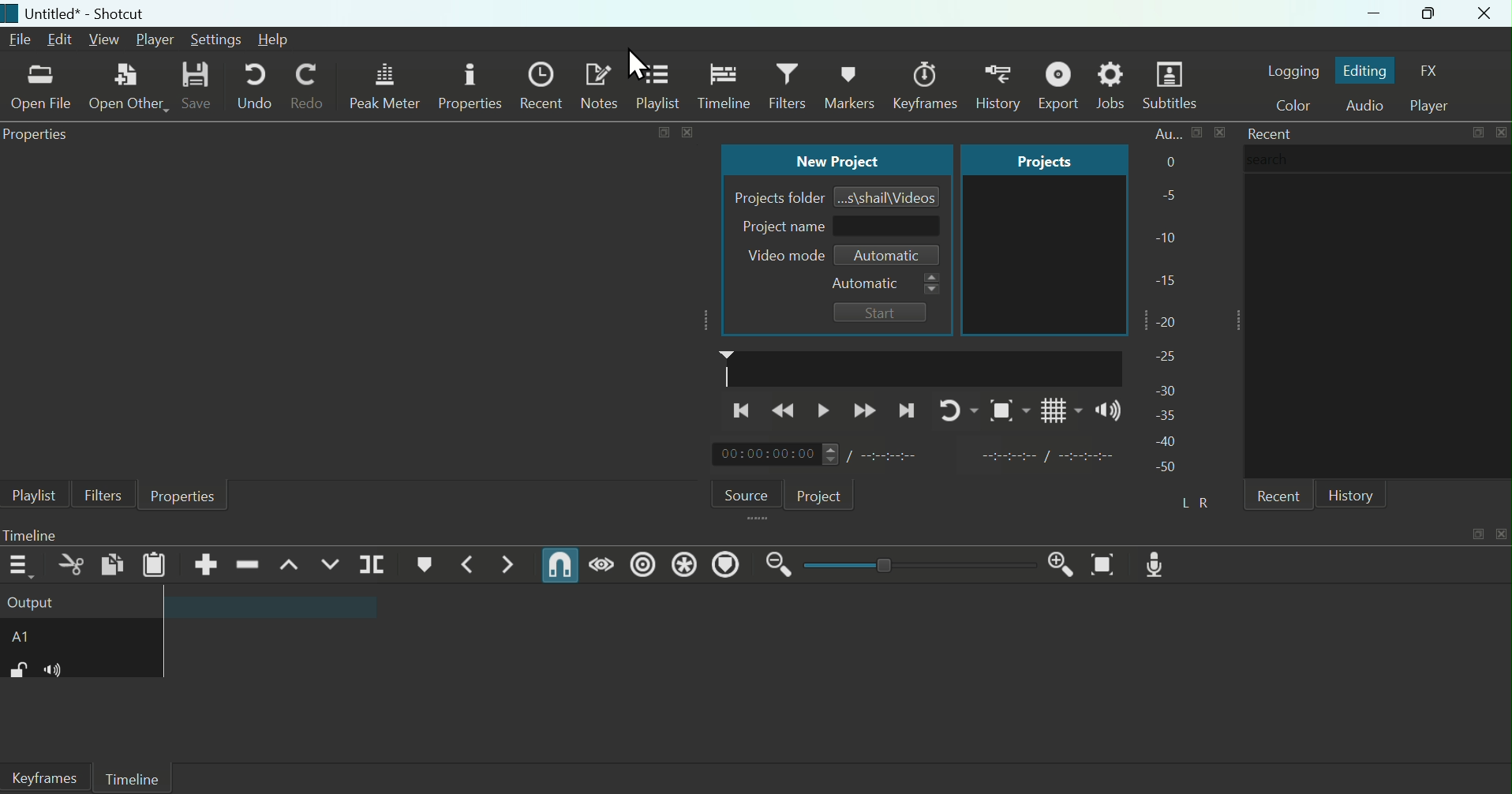 This screenshot has height=794, width=1512. Describe the element at coordinates (821, 493) in the screenshot. I see `Project` at that location.